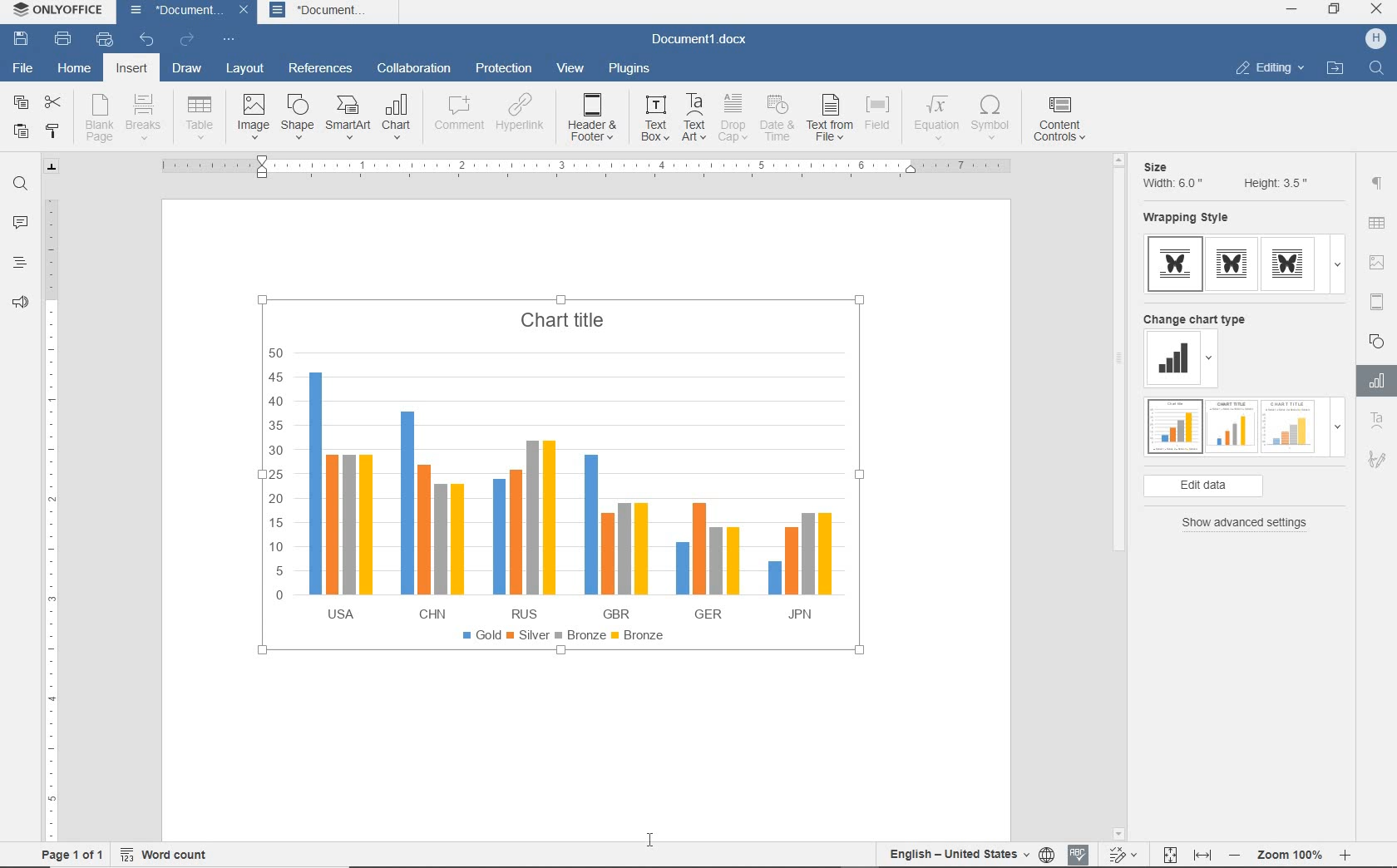 Image resolution: width=1397 pixels, height=868 pixels. I want to click on cut, so click(54, 101).